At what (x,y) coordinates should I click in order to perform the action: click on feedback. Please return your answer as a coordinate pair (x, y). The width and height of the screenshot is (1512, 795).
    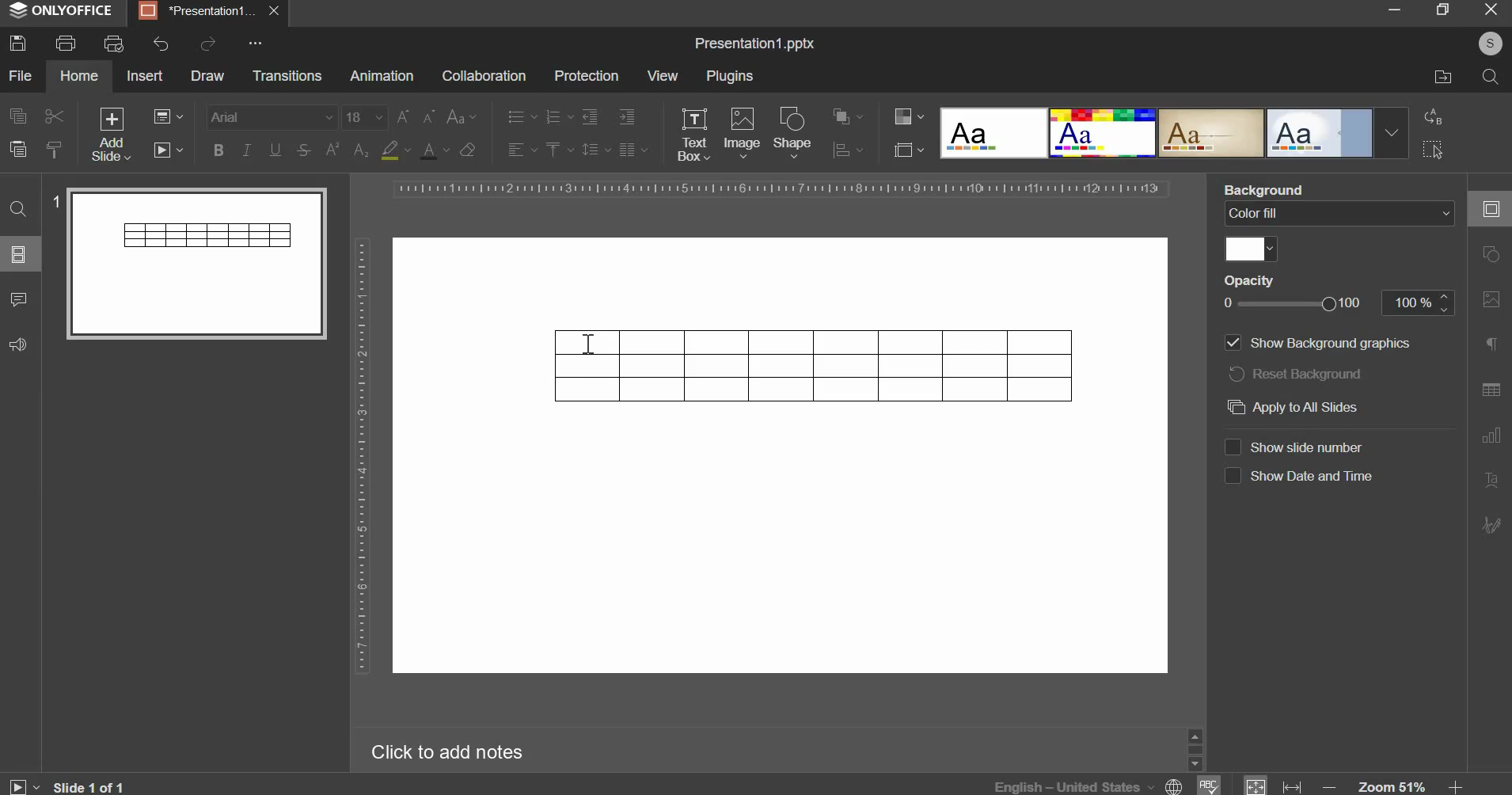
    Looking at the image, I should click on (16, 345).